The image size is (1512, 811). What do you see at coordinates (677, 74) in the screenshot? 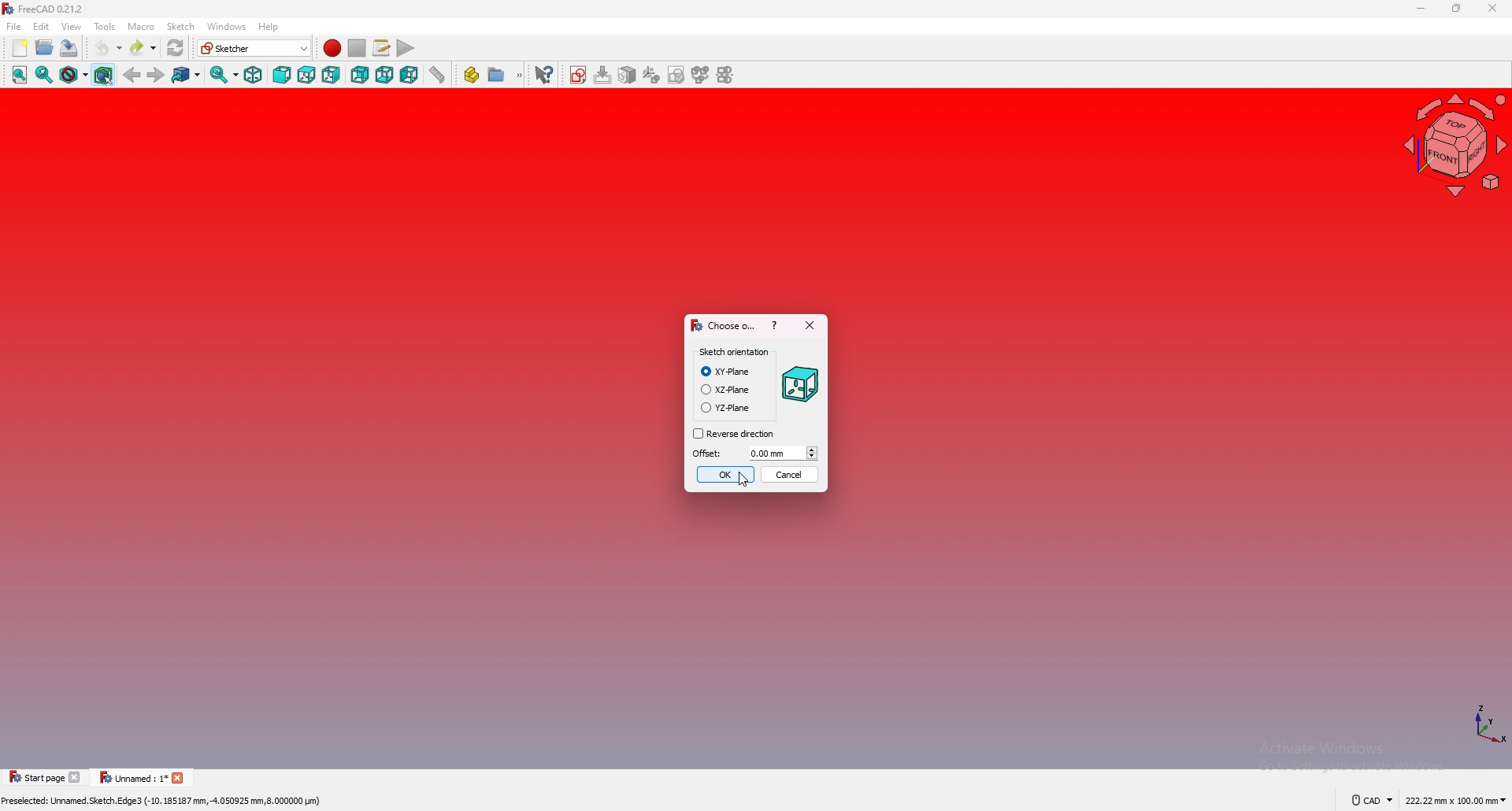
I see `validate sketch` at bounding box center [677, 74].